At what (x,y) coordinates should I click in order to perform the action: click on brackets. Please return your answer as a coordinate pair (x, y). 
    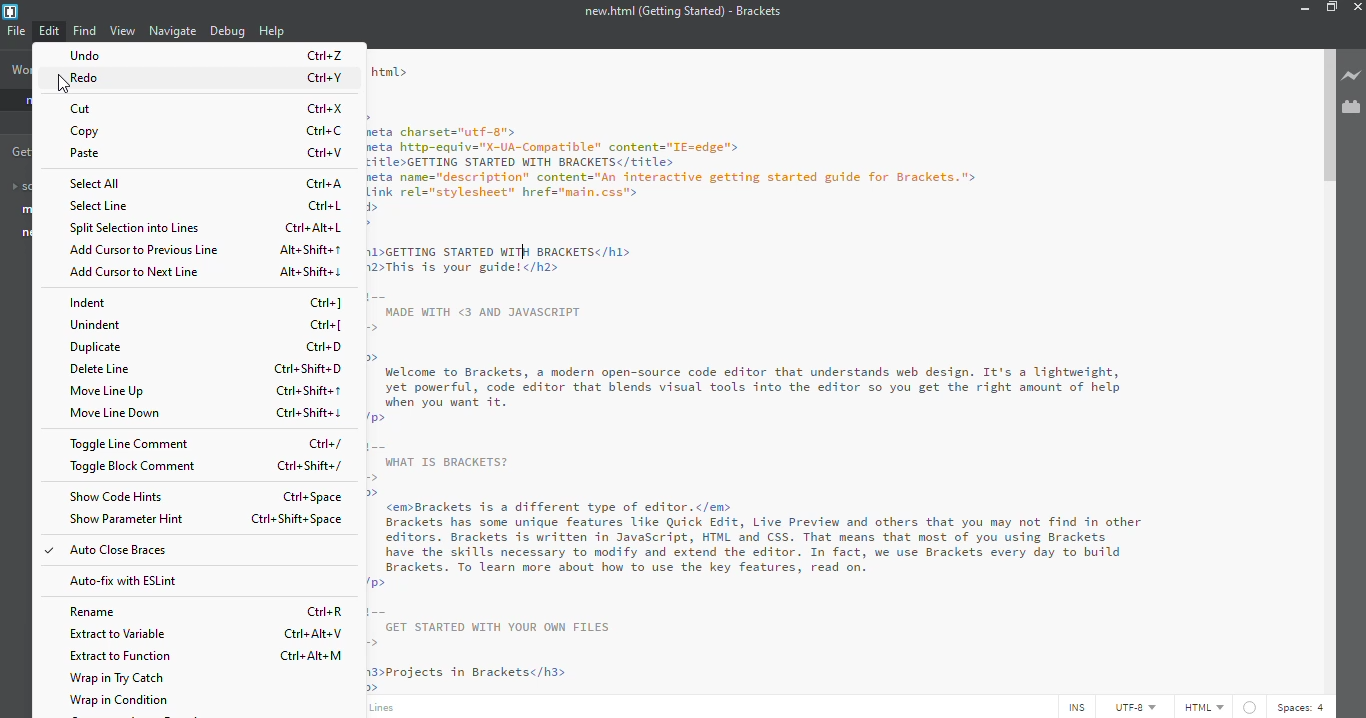
    Looking at the image, I should click on (9, 12).